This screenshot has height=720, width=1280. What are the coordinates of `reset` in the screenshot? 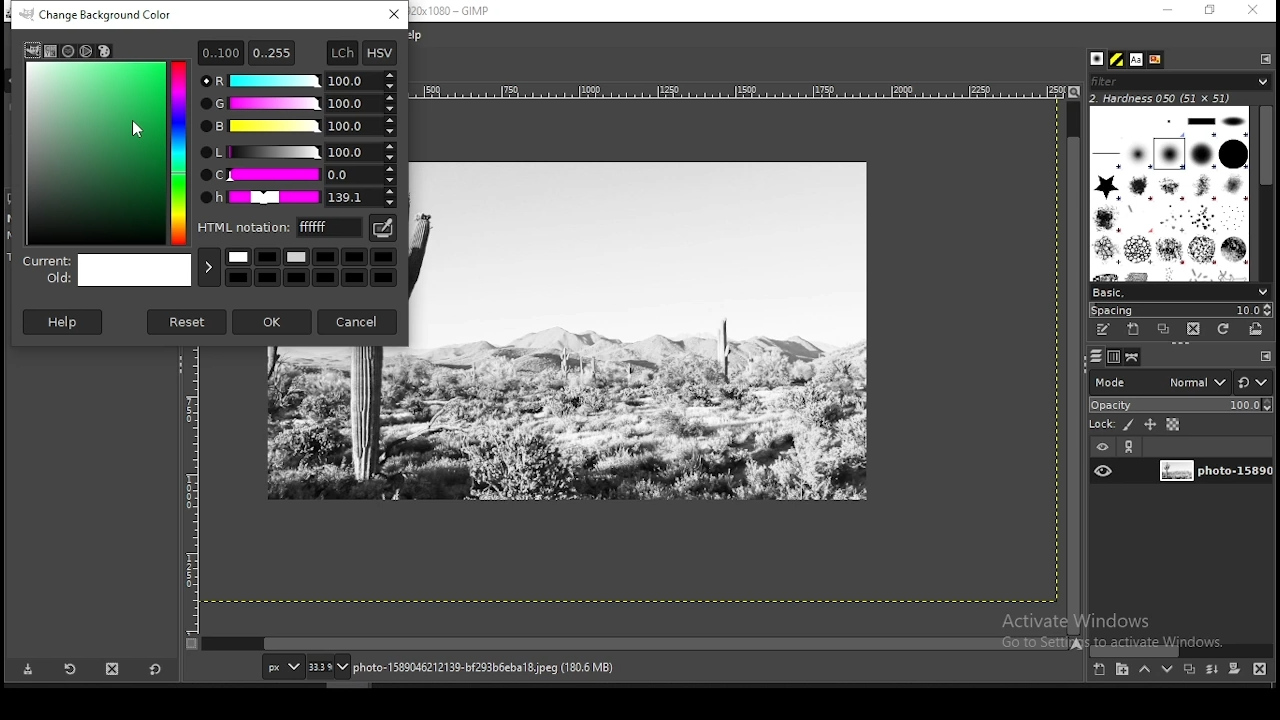 It's located at (188, 321).